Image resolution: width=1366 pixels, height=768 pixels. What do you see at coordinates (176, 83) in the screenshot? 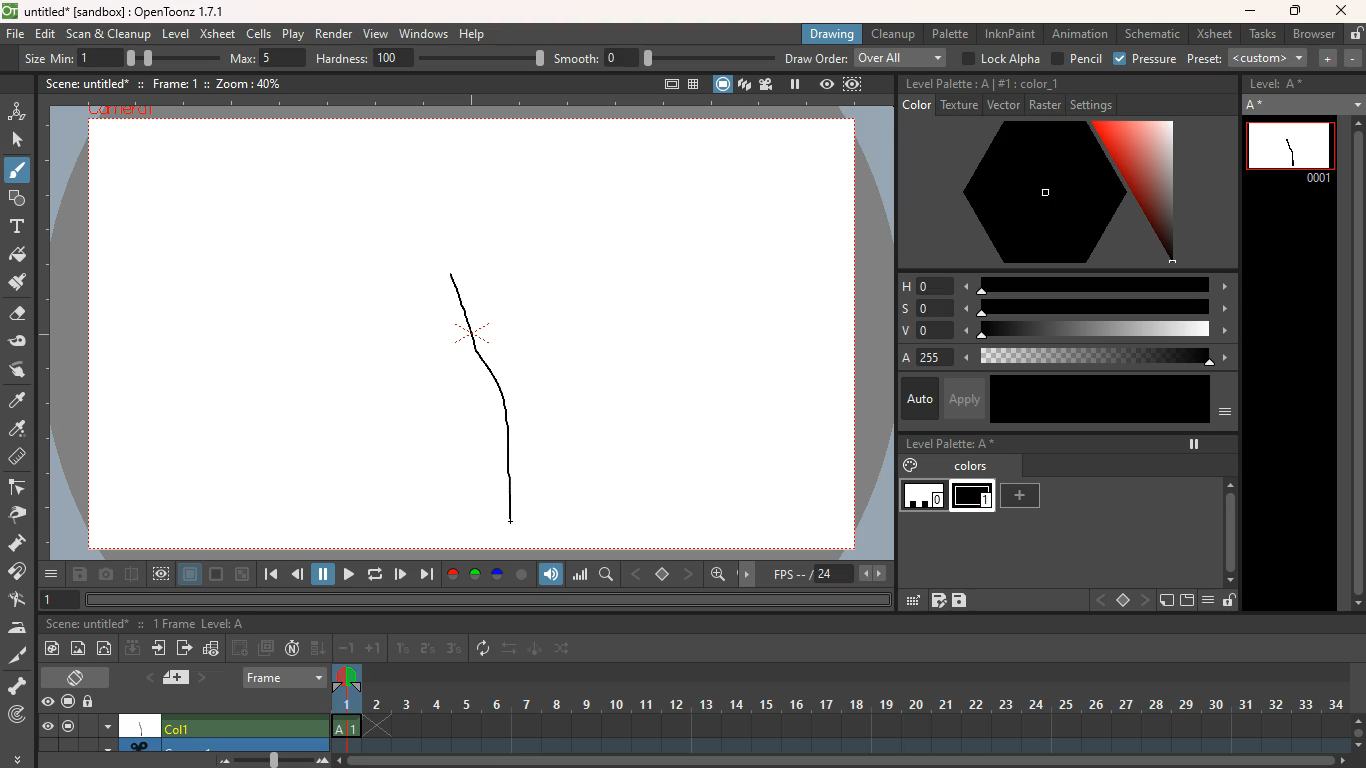
I see `frame: 1` at bounding box center [176, 83].